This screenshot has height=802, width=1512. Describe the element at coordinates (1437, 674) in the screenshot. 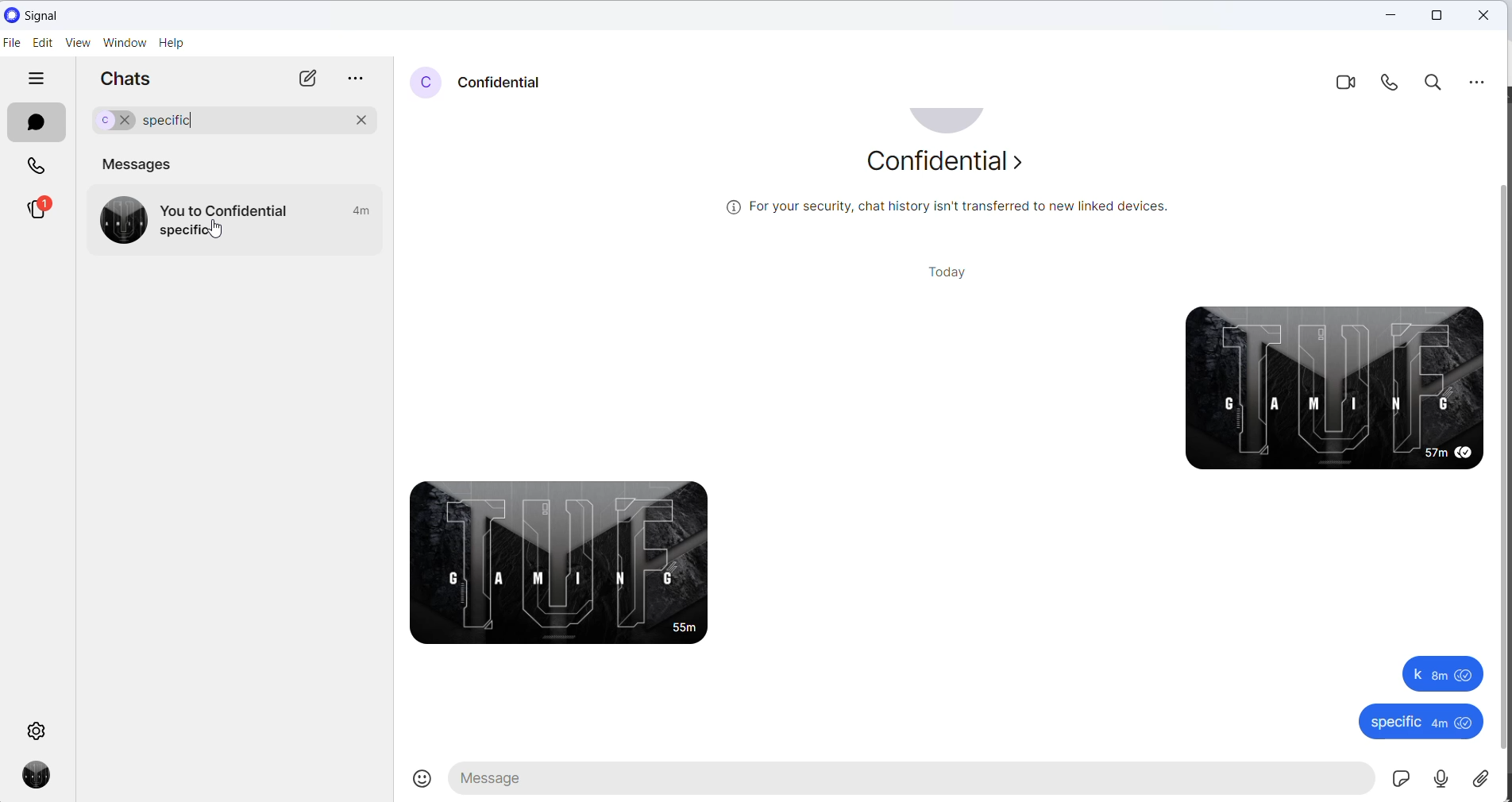

I see `k` at that location.